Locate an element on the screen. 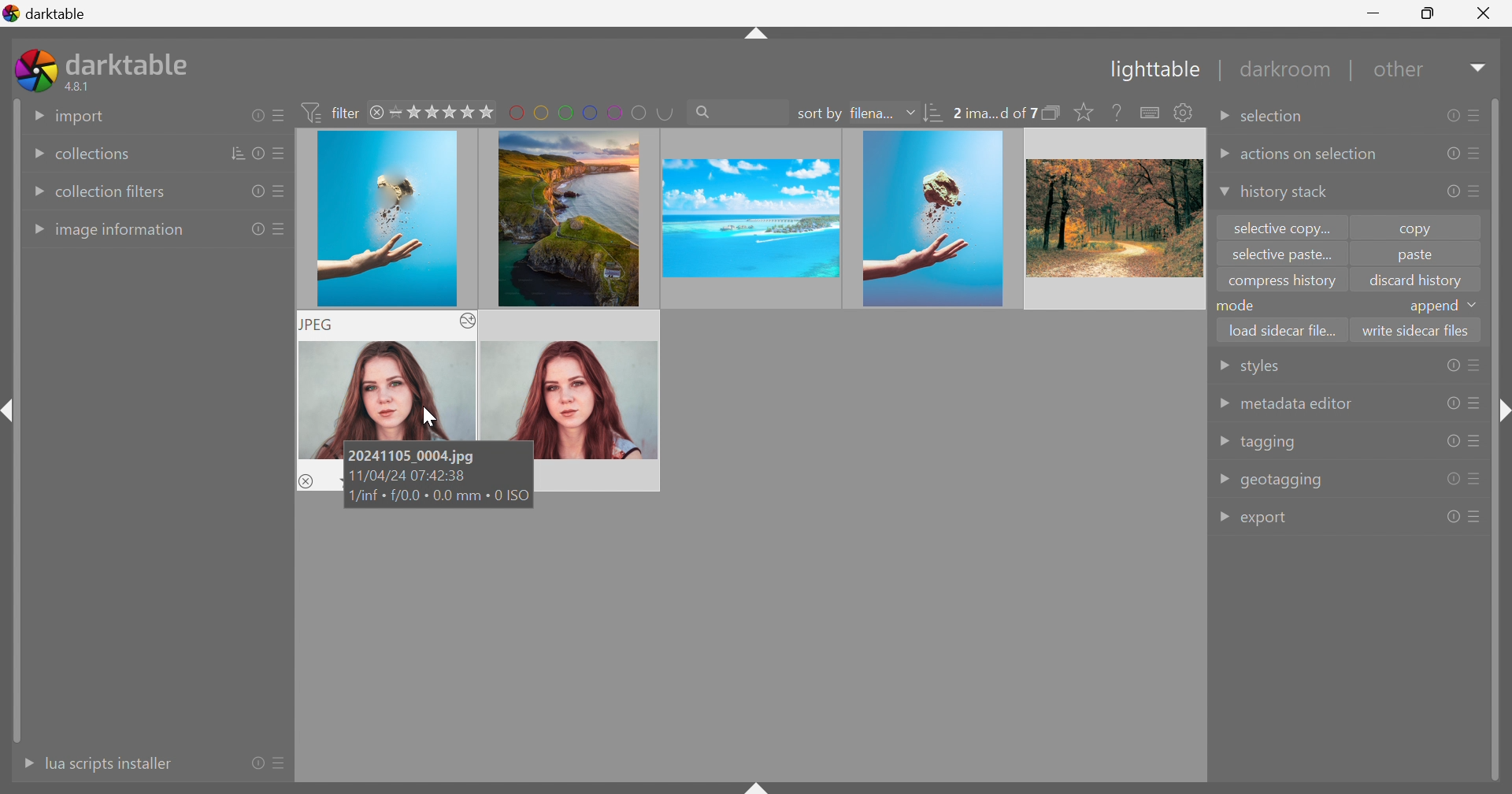  Drop Down is located at coordinates (35, 192).